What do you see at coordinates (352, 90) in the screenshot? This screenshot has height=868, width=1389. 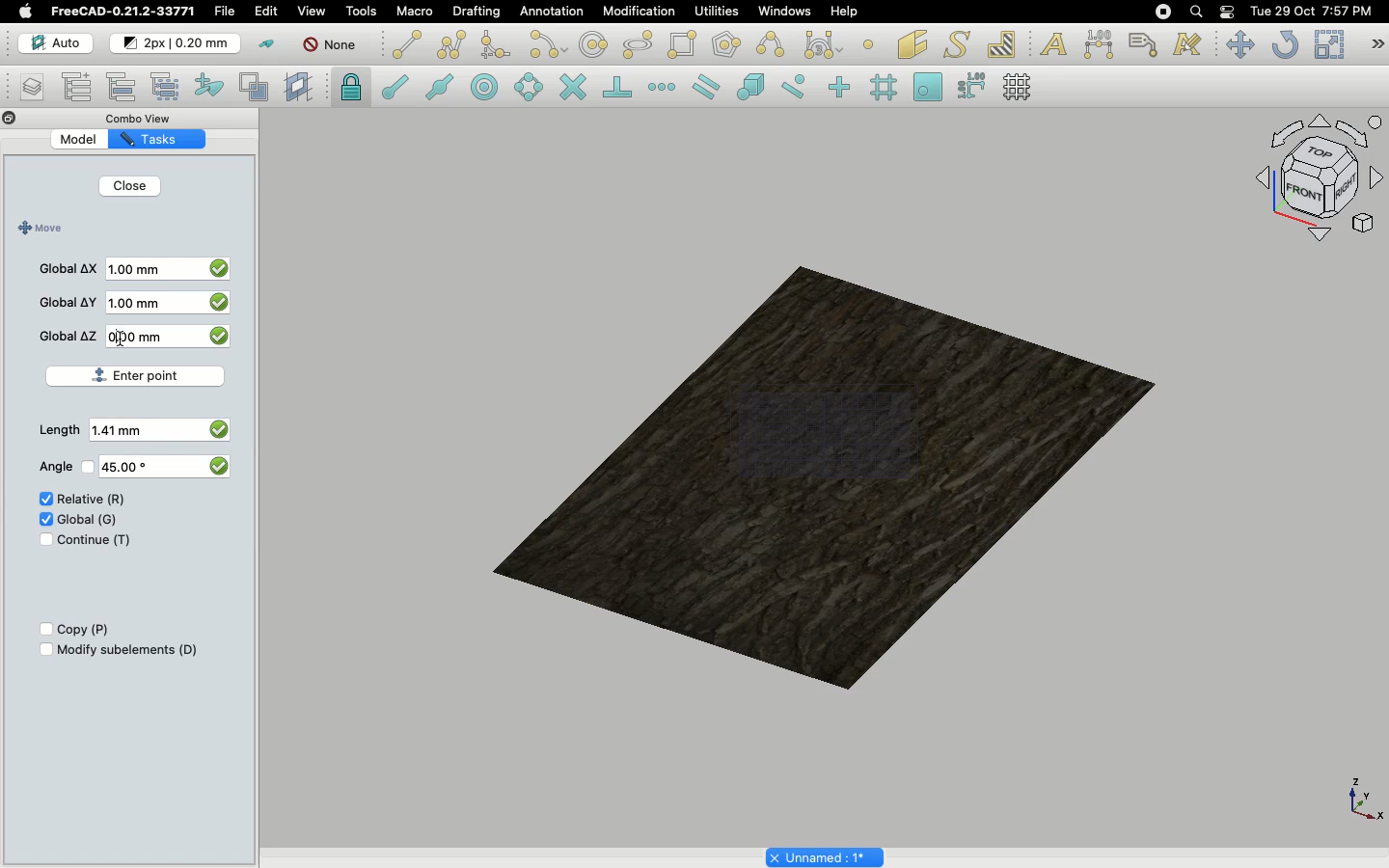 I see `lock` at bounding box center [352, 90].